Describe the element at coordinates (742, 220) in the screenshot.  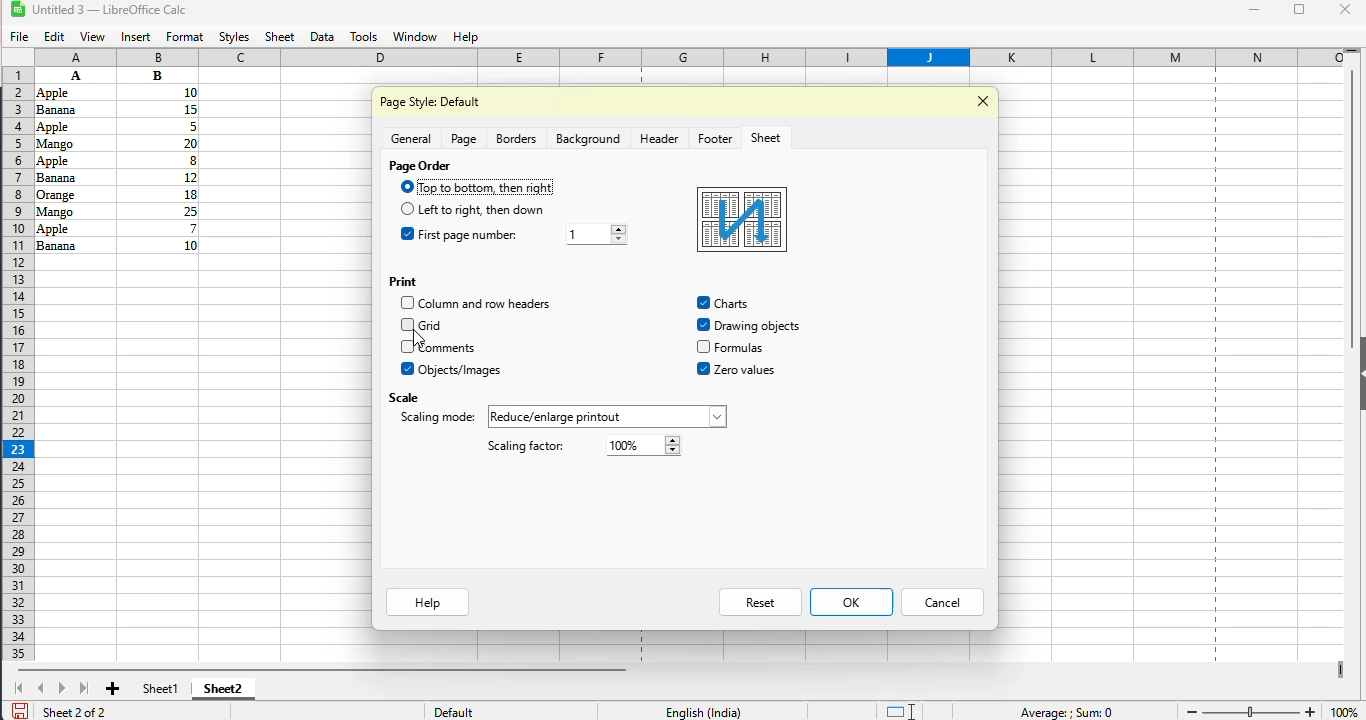
I see `preview box` at that location.